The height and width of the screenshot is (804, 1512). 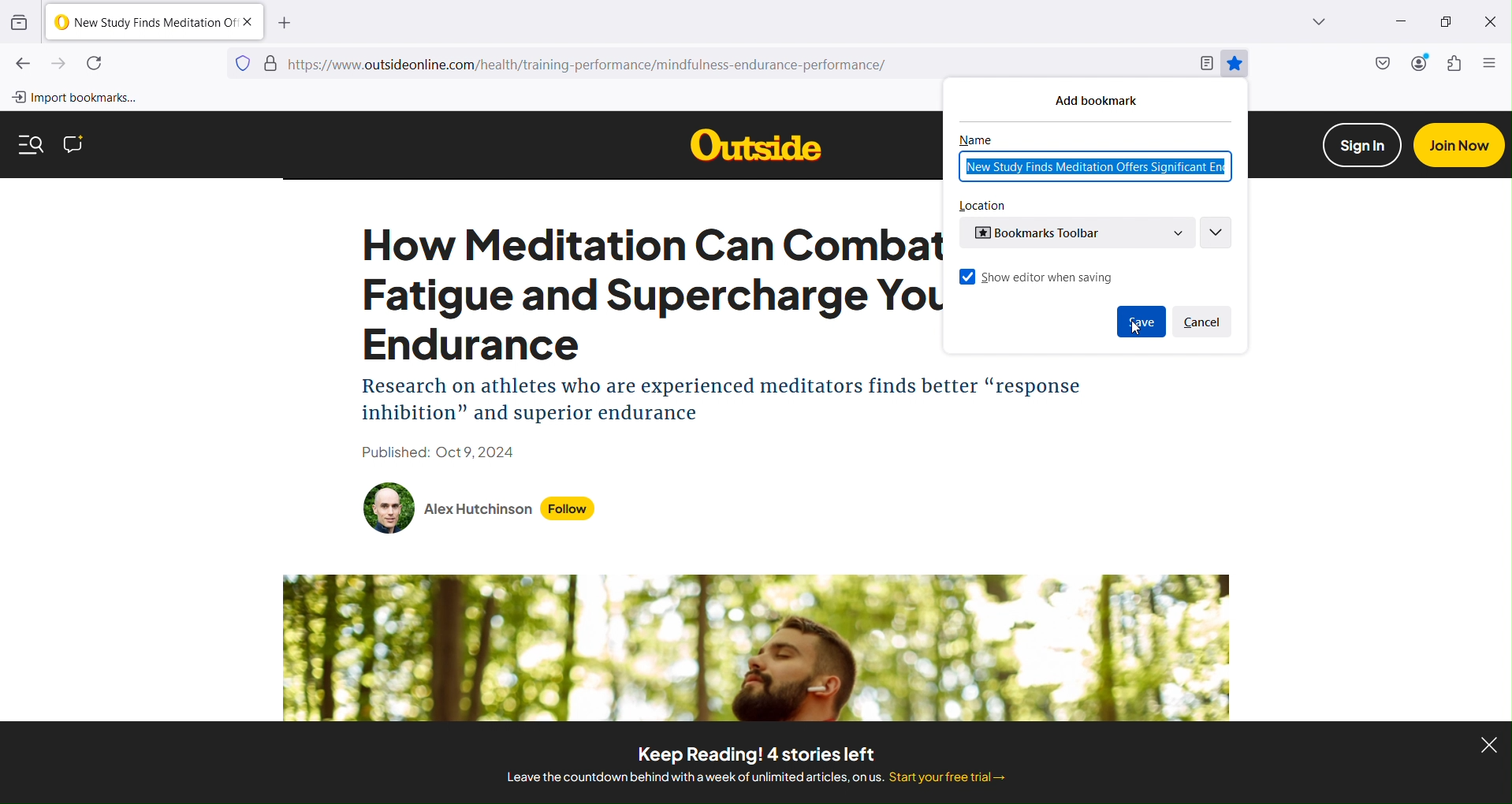 What do you see at coordinates (32, 144) in the screenshot?
I see `Search for more content` at bounding box center [32, 144].